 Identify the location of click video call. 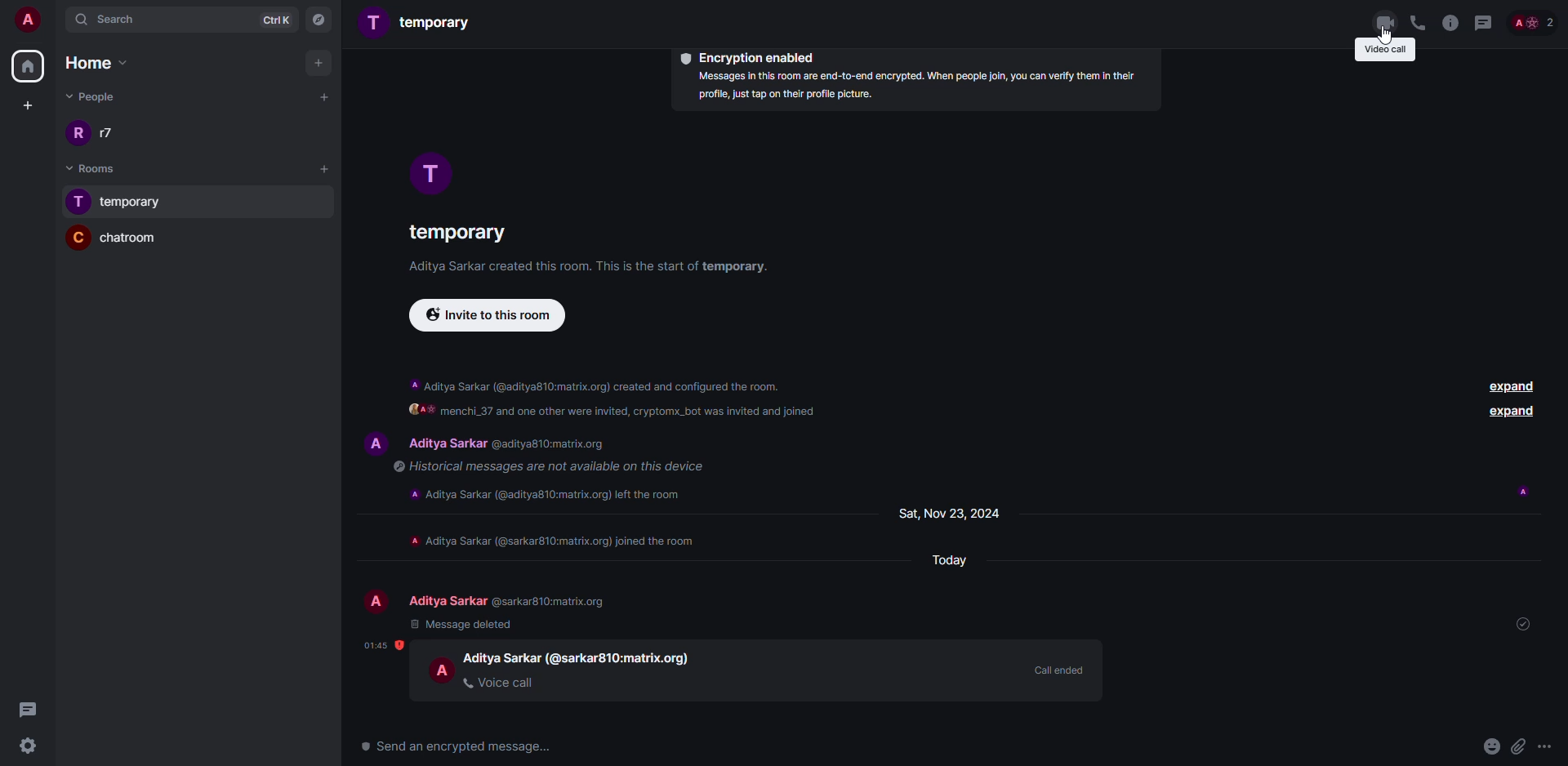
(1386, 22).